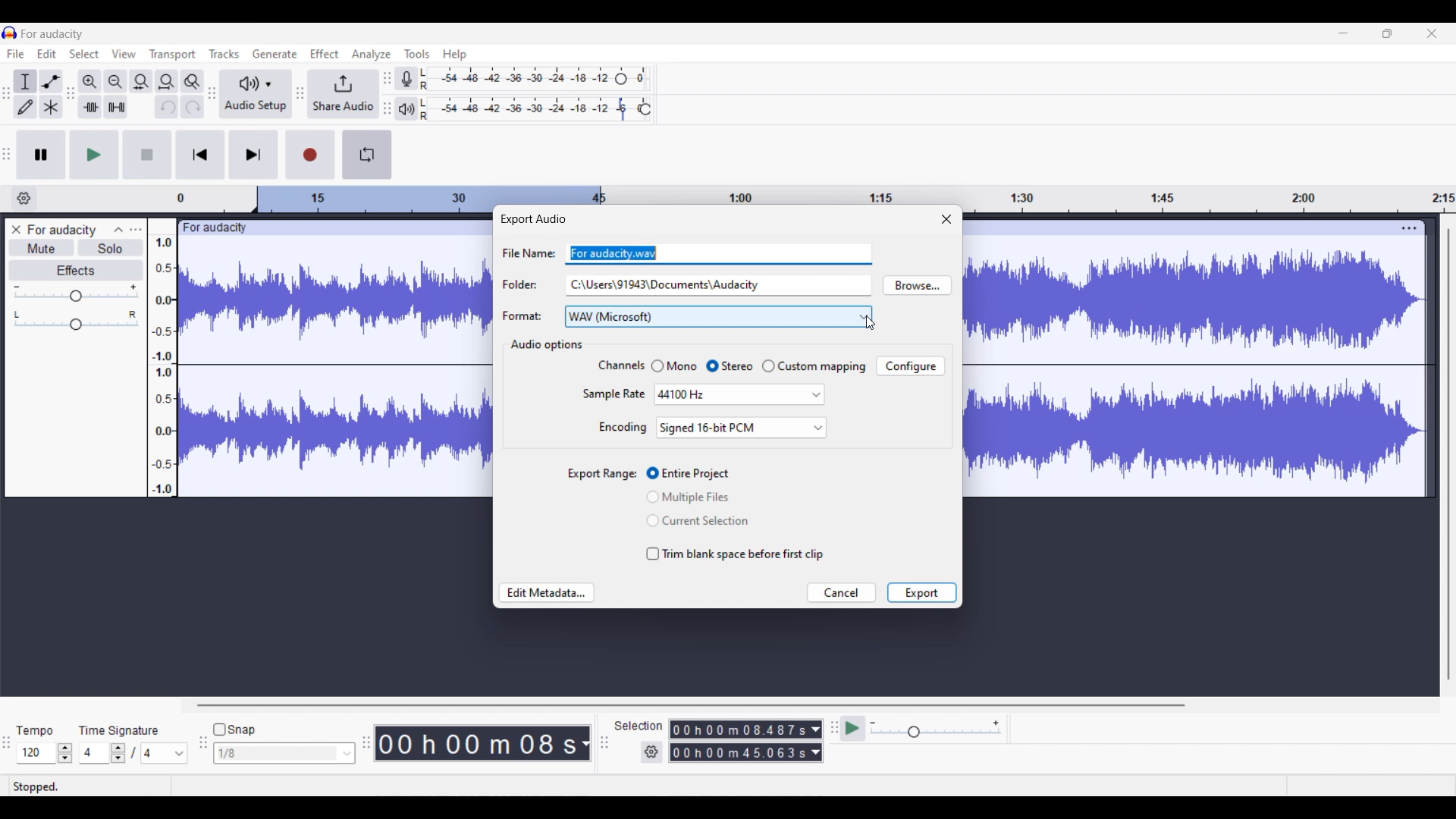 This screenshot has height=819, width=1456. I want to click on Envelop tool, so click(51, 82).